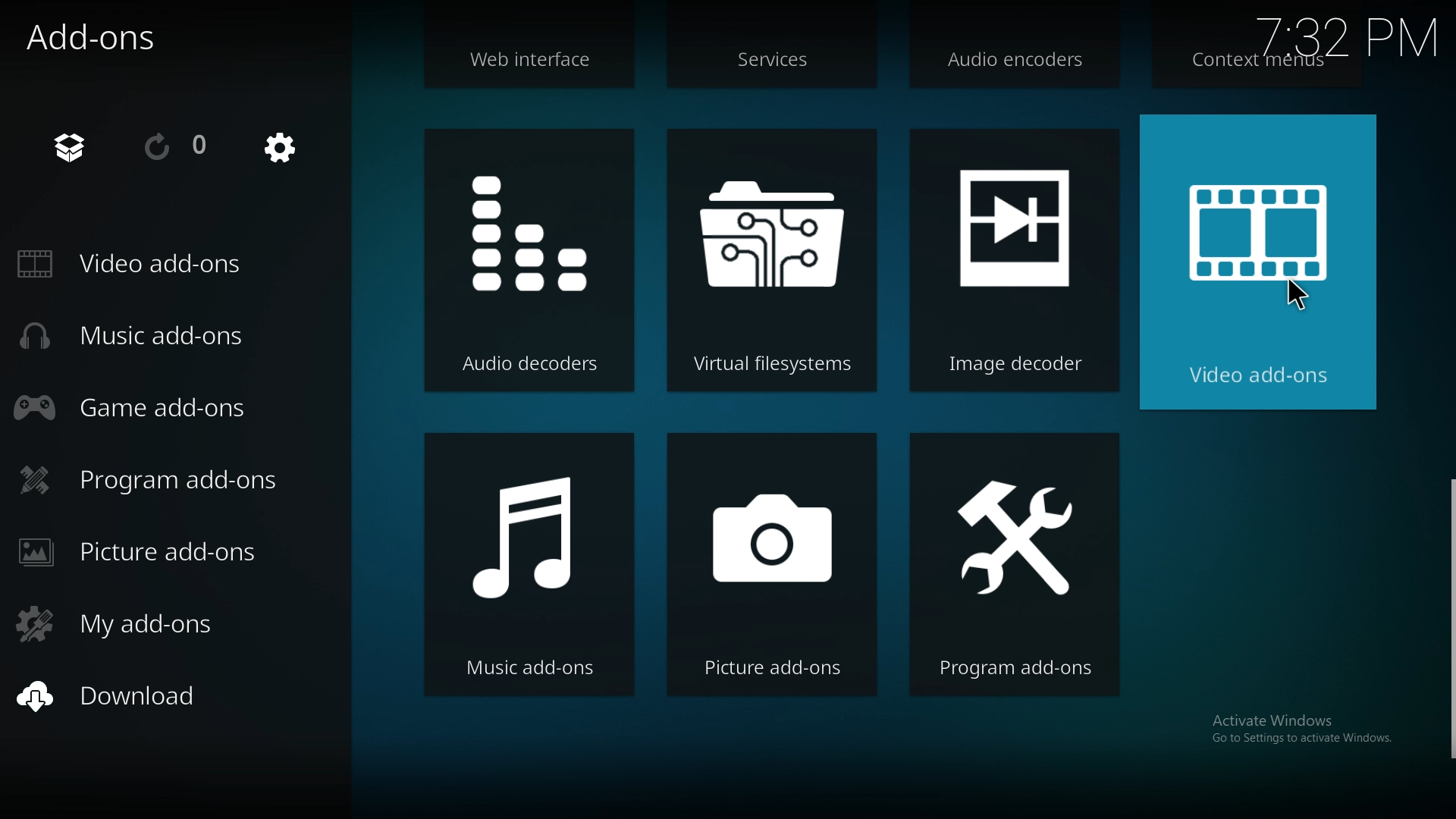 This screenshot has height=819, width=1456. What do you see at coordinates (772, 258) in the screenshot?
I see `virtual file systems` at bounding box center [772, 258].